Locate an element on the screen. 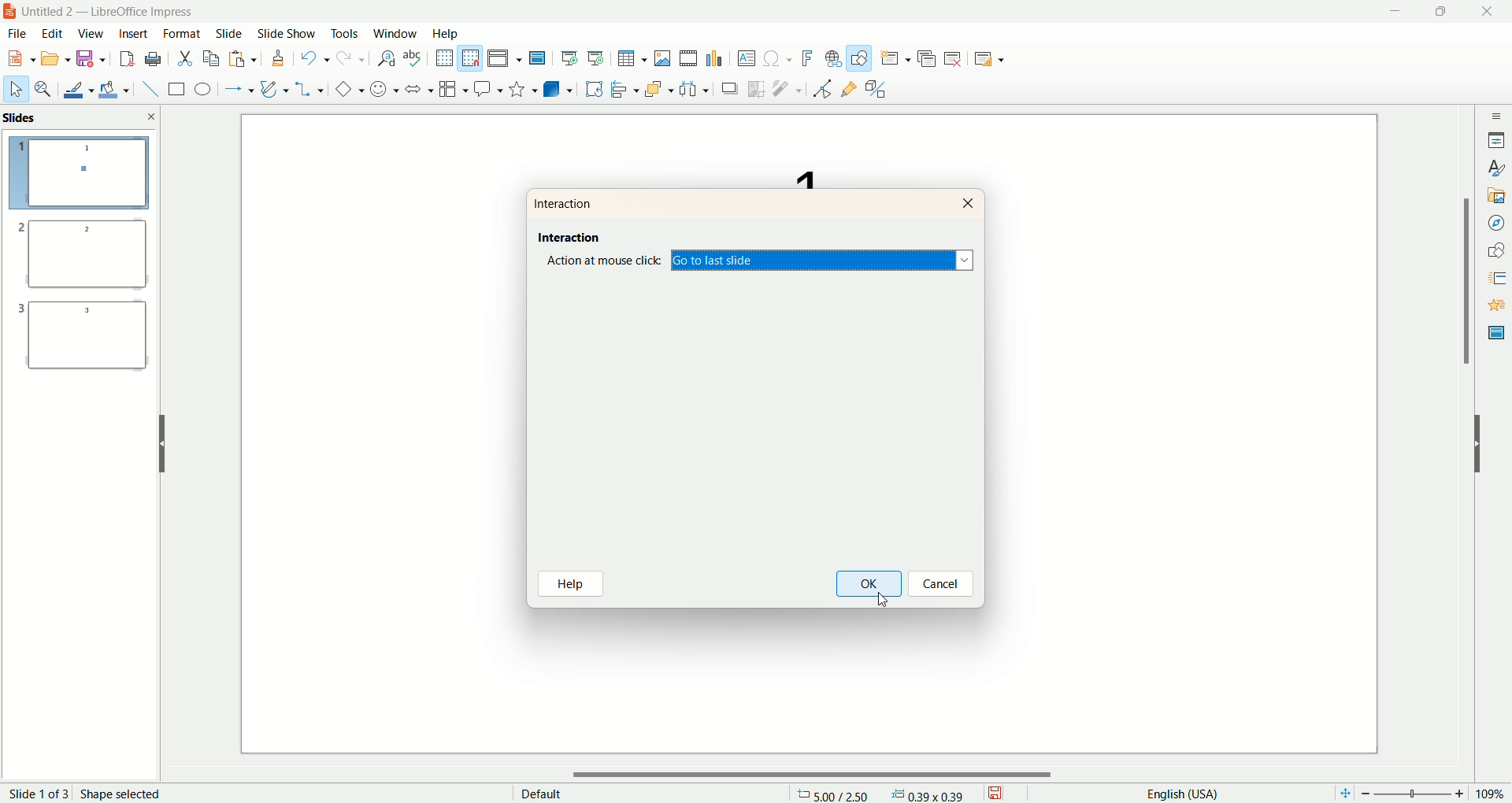 The image size is (1512, 803). zoom percentage is located at coordinates (1494, 794).